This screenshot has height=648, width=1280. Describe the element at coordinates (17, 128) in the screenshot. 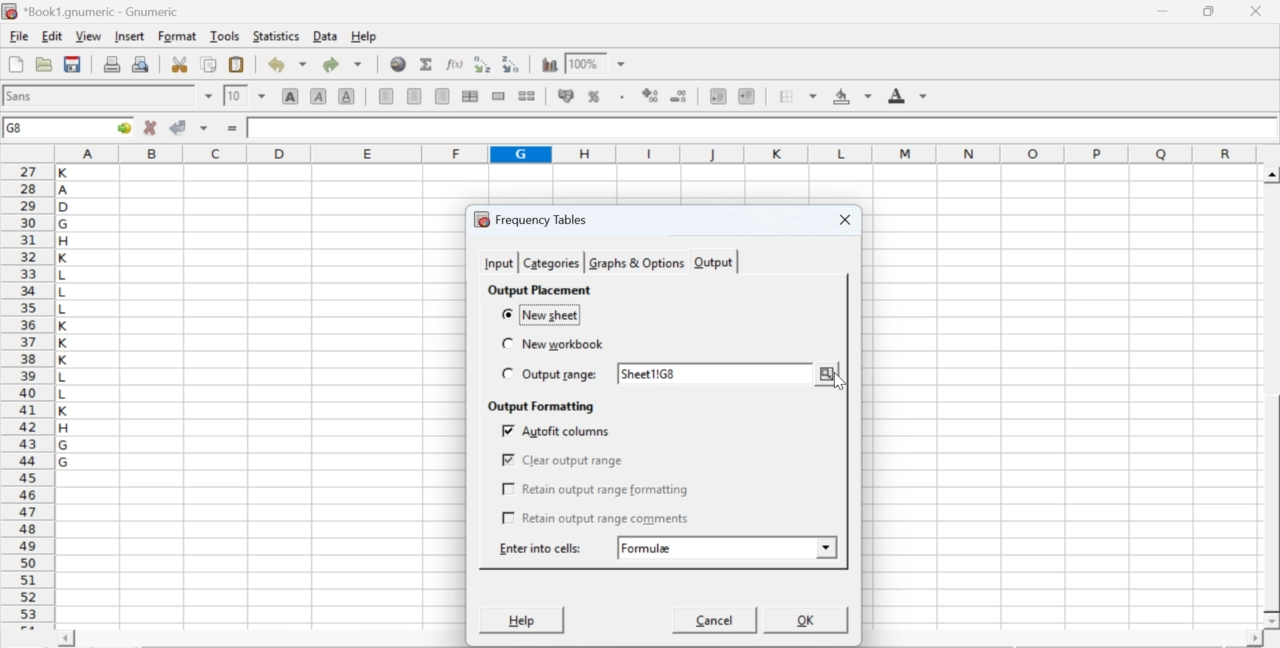

I see `G8` at that location.